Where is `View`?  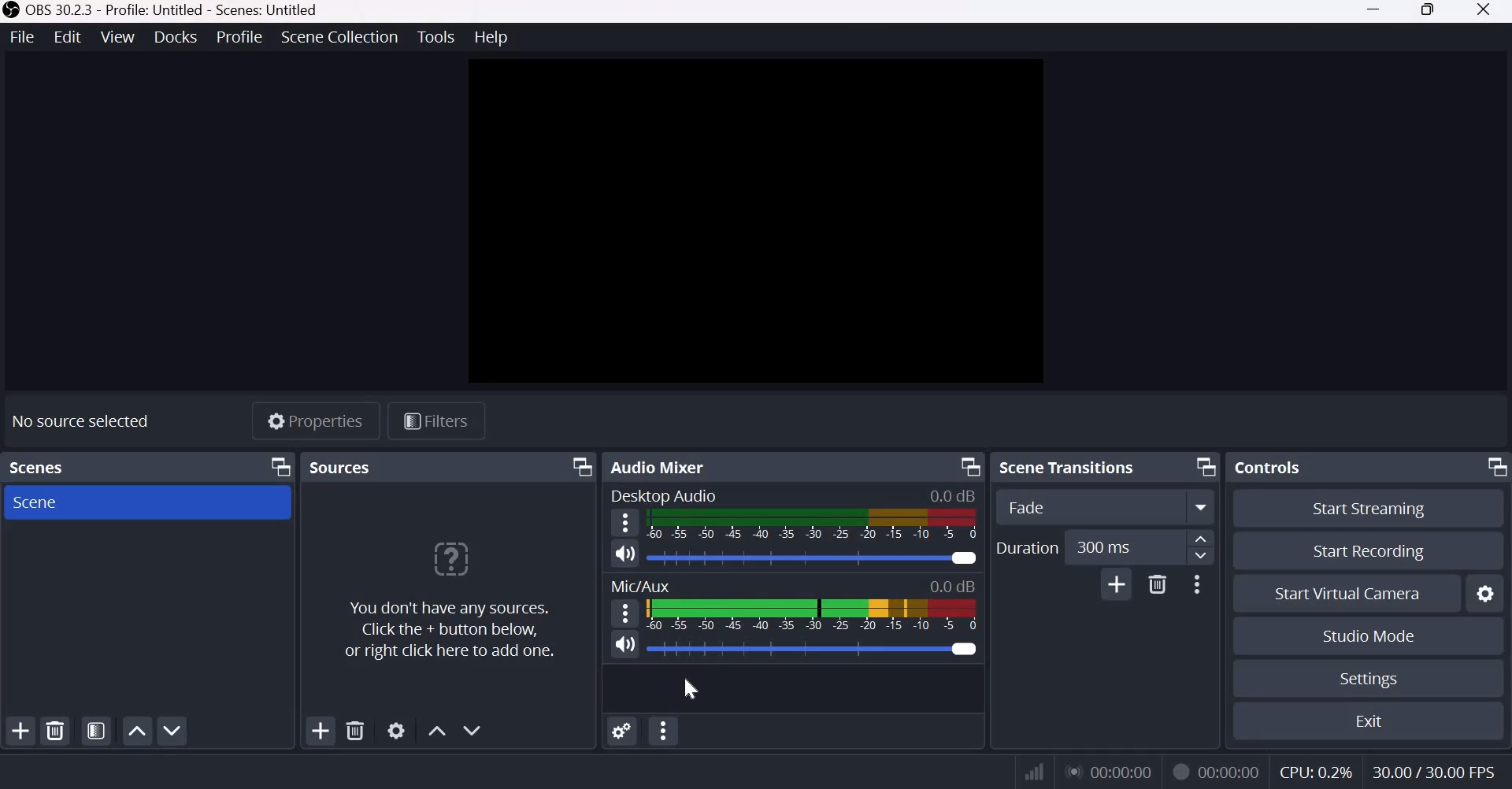 View is located at coordinates (118, 36).